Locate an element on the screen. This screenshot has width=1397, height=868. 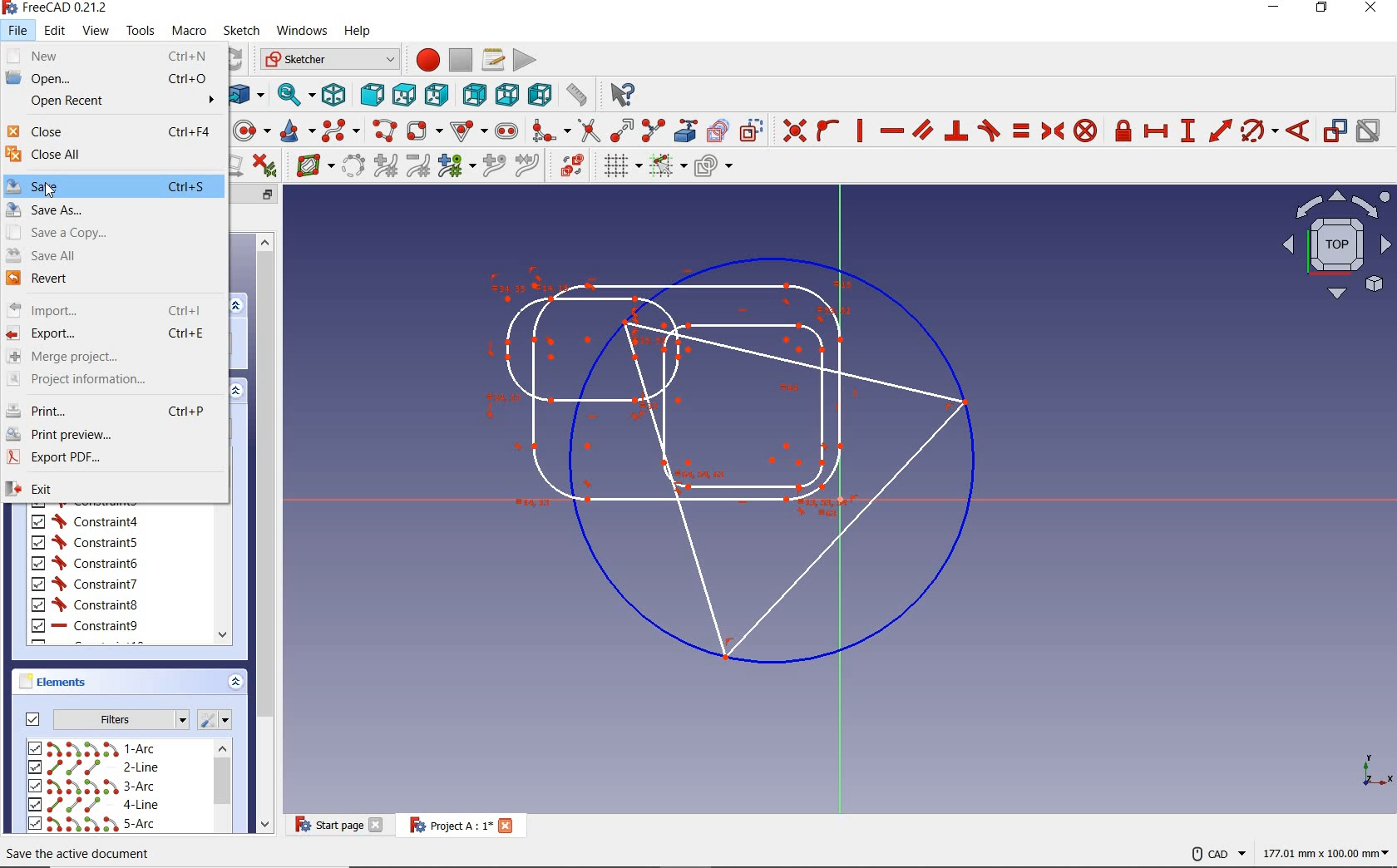
constrain symmetrical is located at coordinates (1052, 131).